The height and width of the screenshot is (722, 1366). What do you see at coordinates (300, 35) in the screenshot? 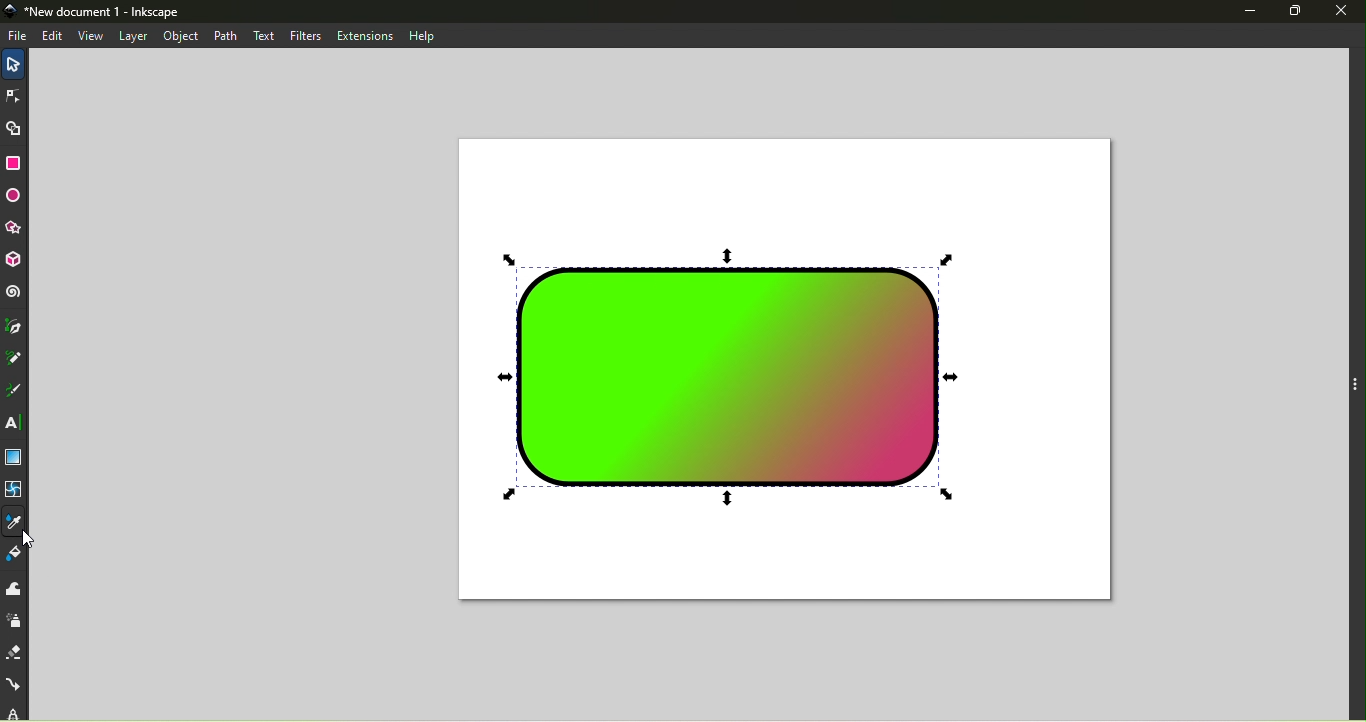
I see `Filters` at bounding box center [300, 35].